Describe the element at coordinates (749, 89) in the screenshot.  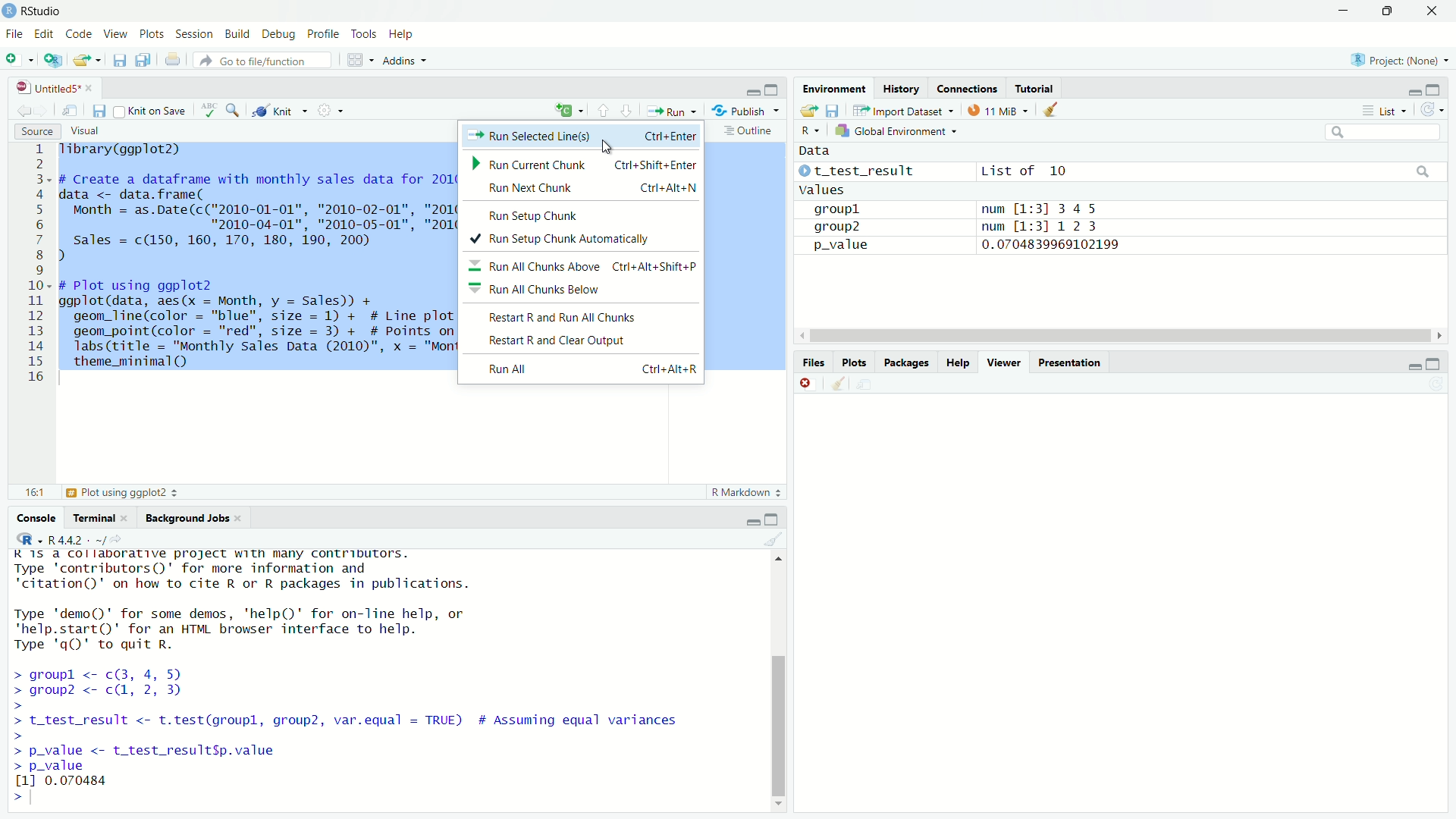
I see `minimise` at that location.